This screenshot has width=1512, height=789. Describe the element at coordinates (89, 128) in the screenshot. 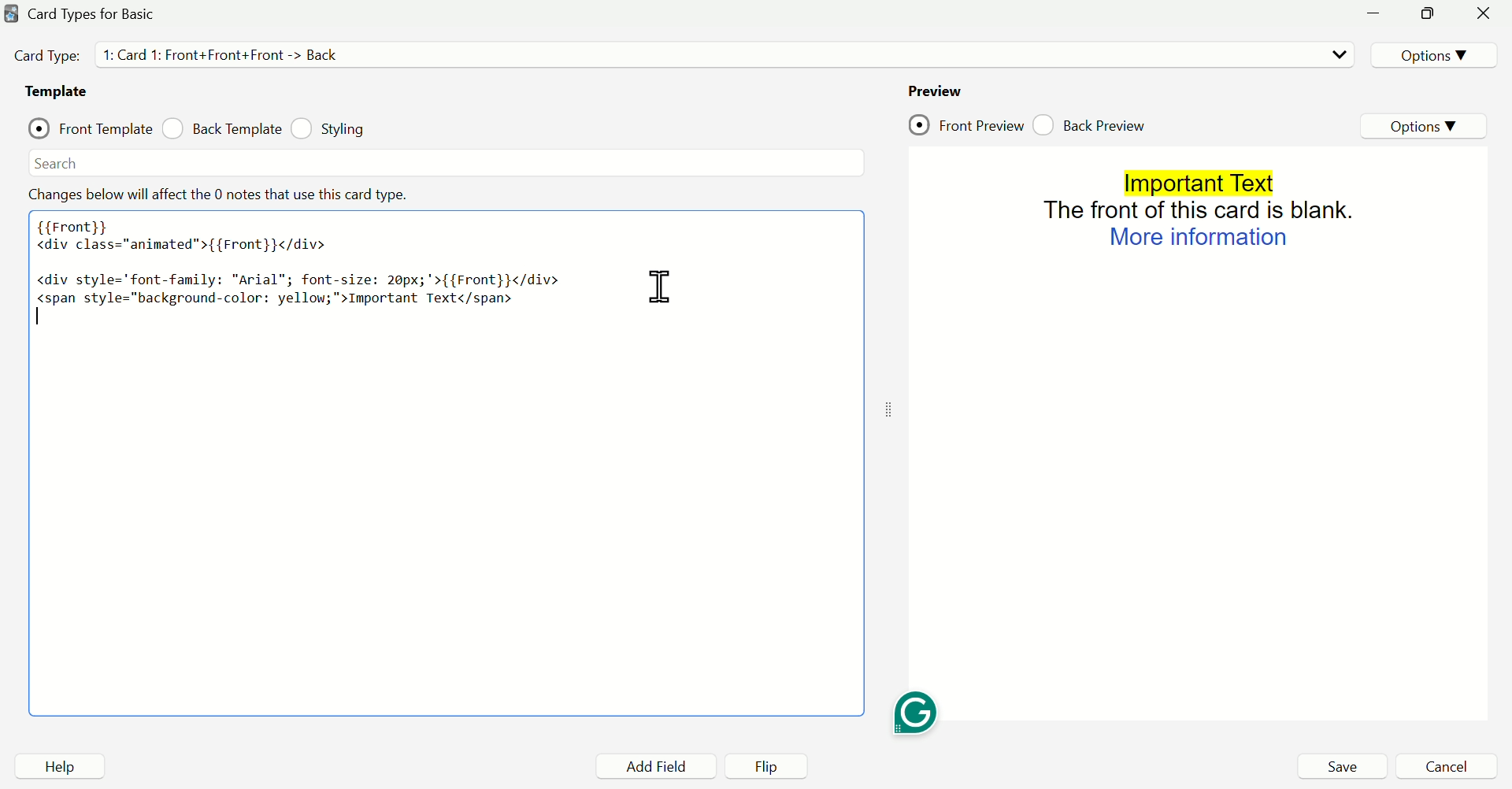

I see `check Front Template` at that location.